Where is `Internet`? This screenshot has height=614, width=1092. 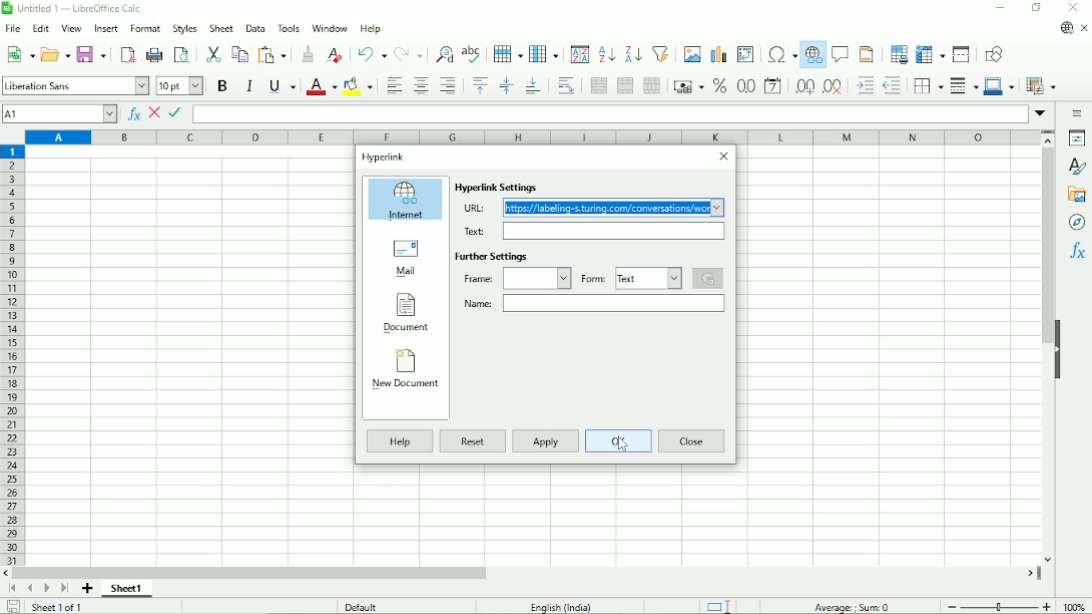 Internet is located at coordinates (406, 201).